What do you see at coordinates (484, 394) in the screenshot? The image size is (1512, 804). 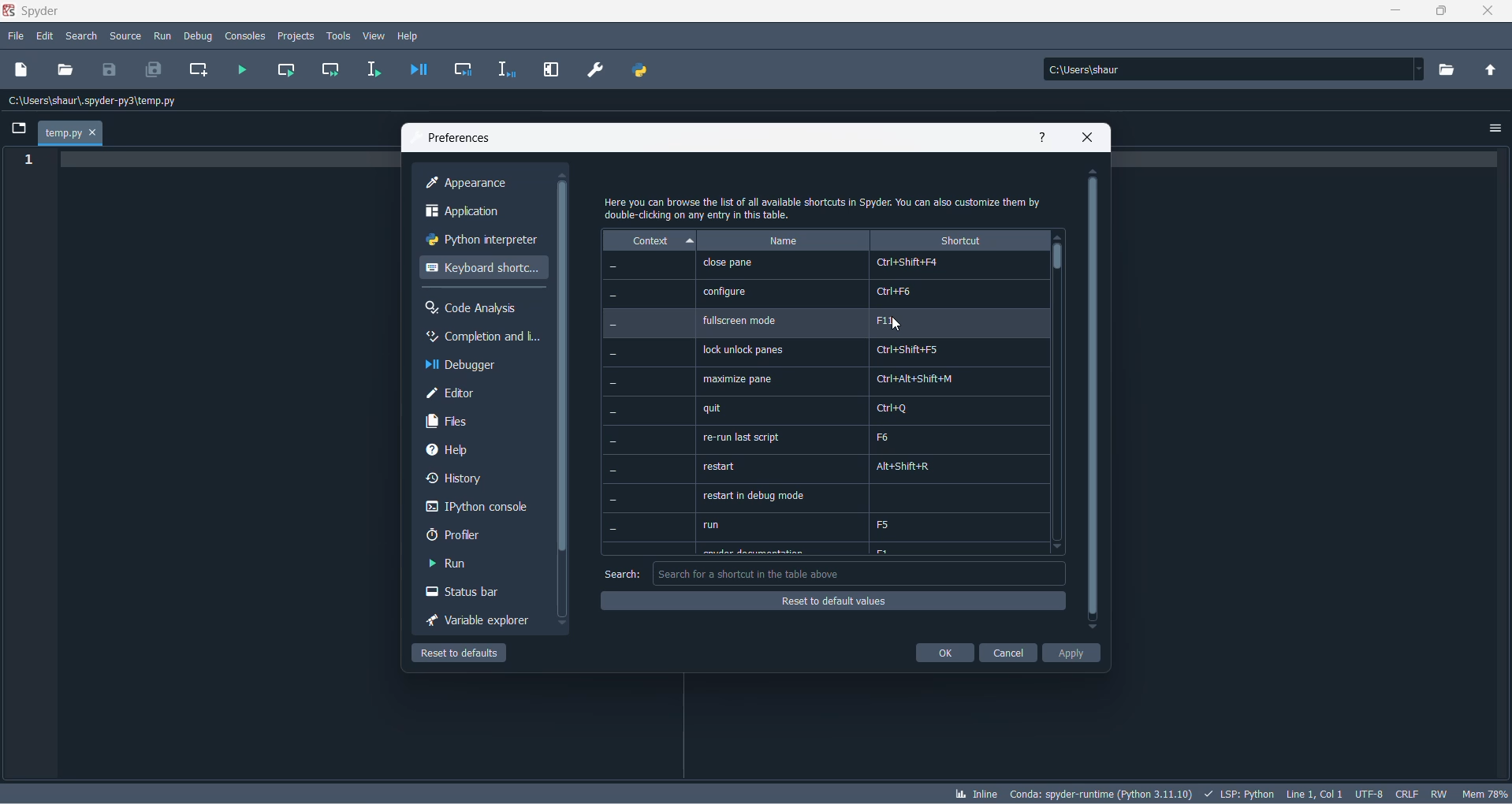 I see `editor` at bounding box center [484, 394].